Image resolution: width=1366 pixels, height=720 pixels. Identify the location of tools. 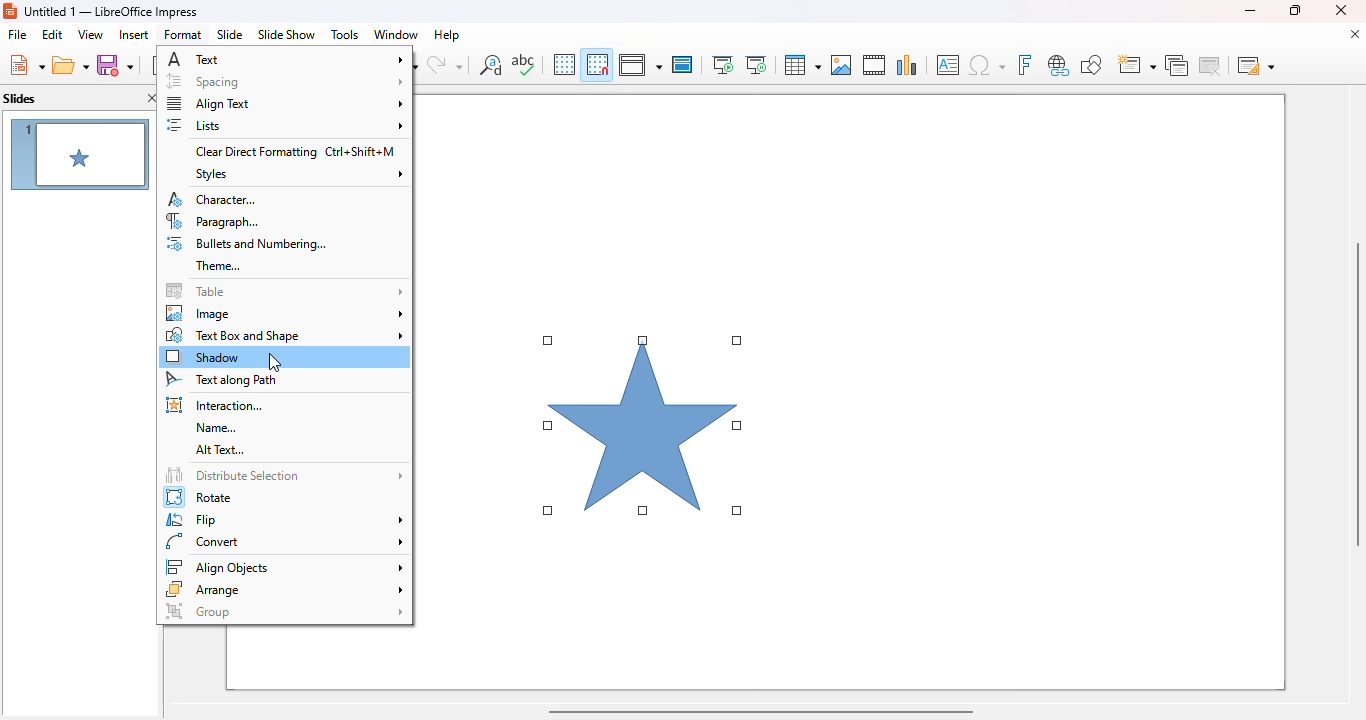
(344, 34).